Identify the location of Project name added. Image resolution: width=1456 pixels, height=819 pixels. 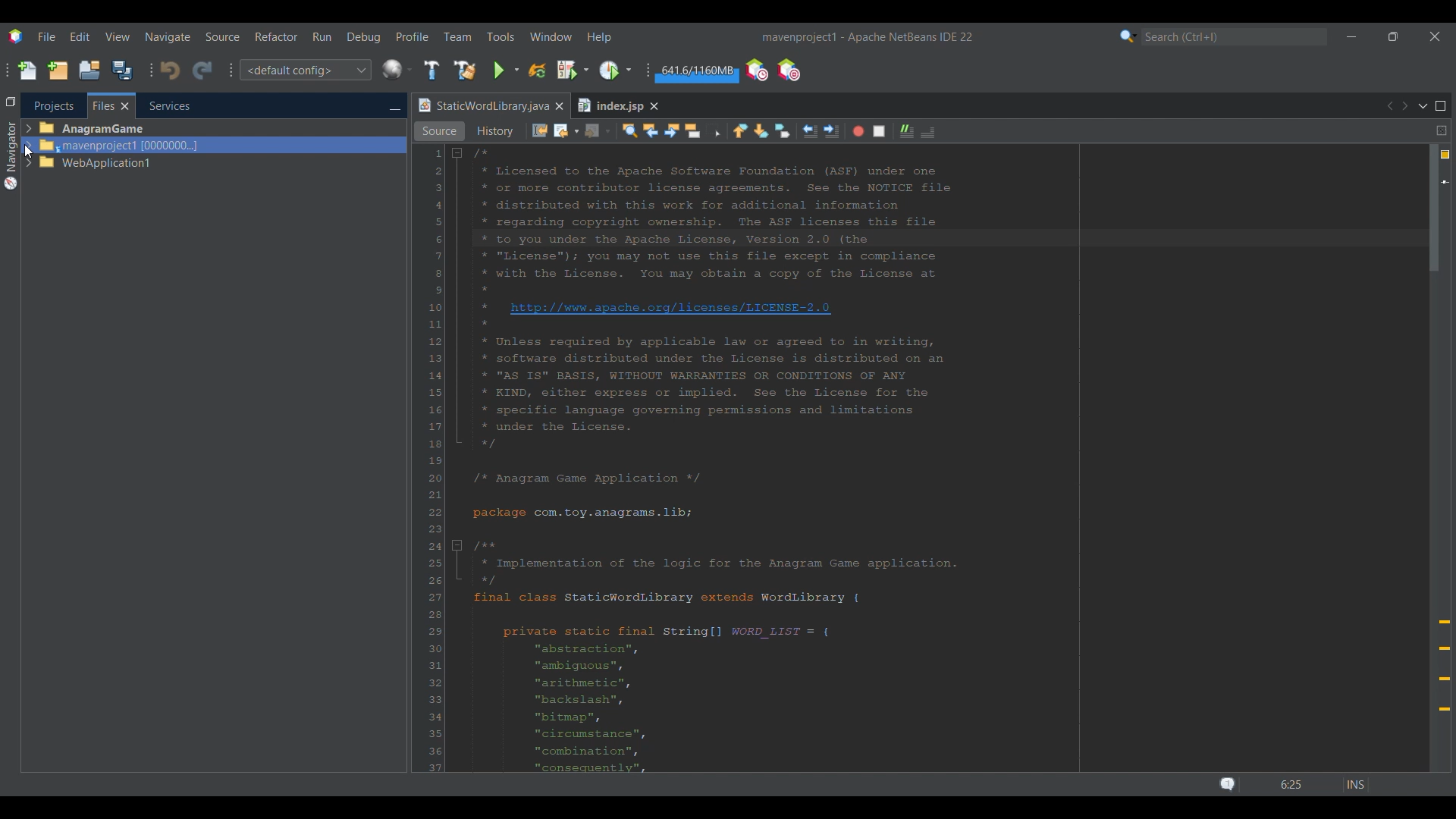
(867, 37).